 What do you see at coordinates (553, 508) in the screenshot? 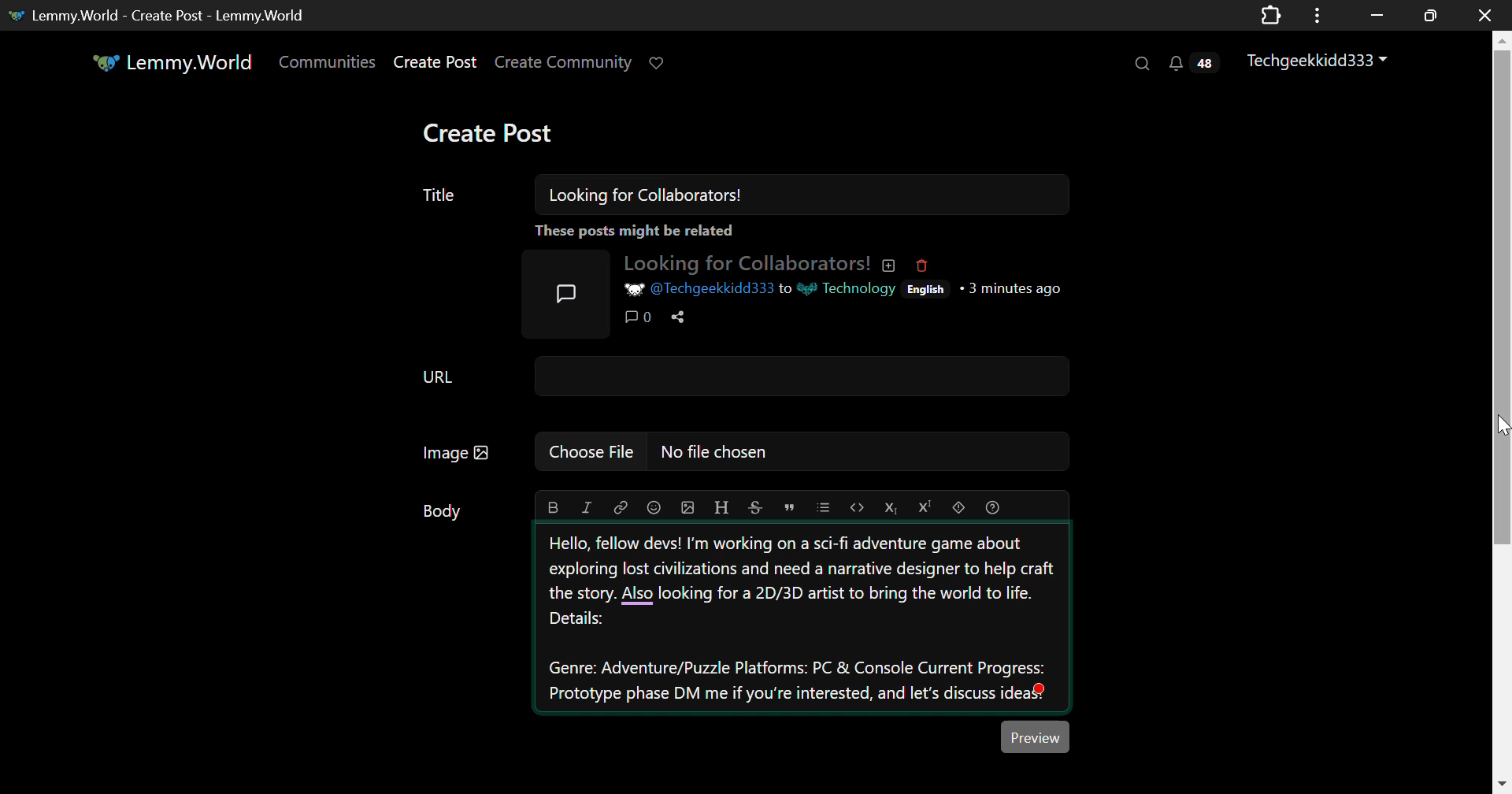
I see `bold` at bounding box center [553, 508].